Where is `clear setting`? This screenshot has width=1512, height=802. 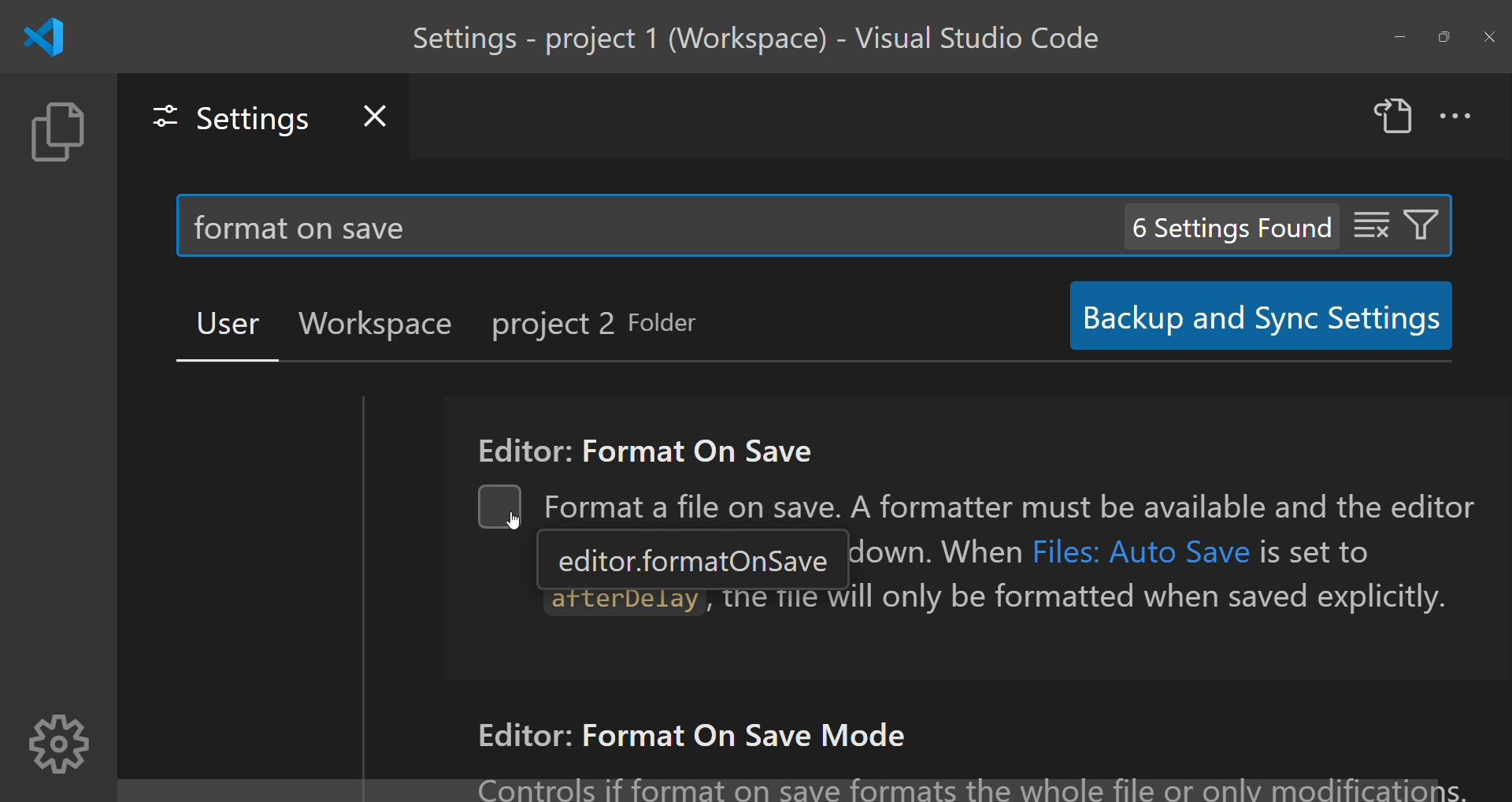
clear setting is located at coordinates (1366, 223).